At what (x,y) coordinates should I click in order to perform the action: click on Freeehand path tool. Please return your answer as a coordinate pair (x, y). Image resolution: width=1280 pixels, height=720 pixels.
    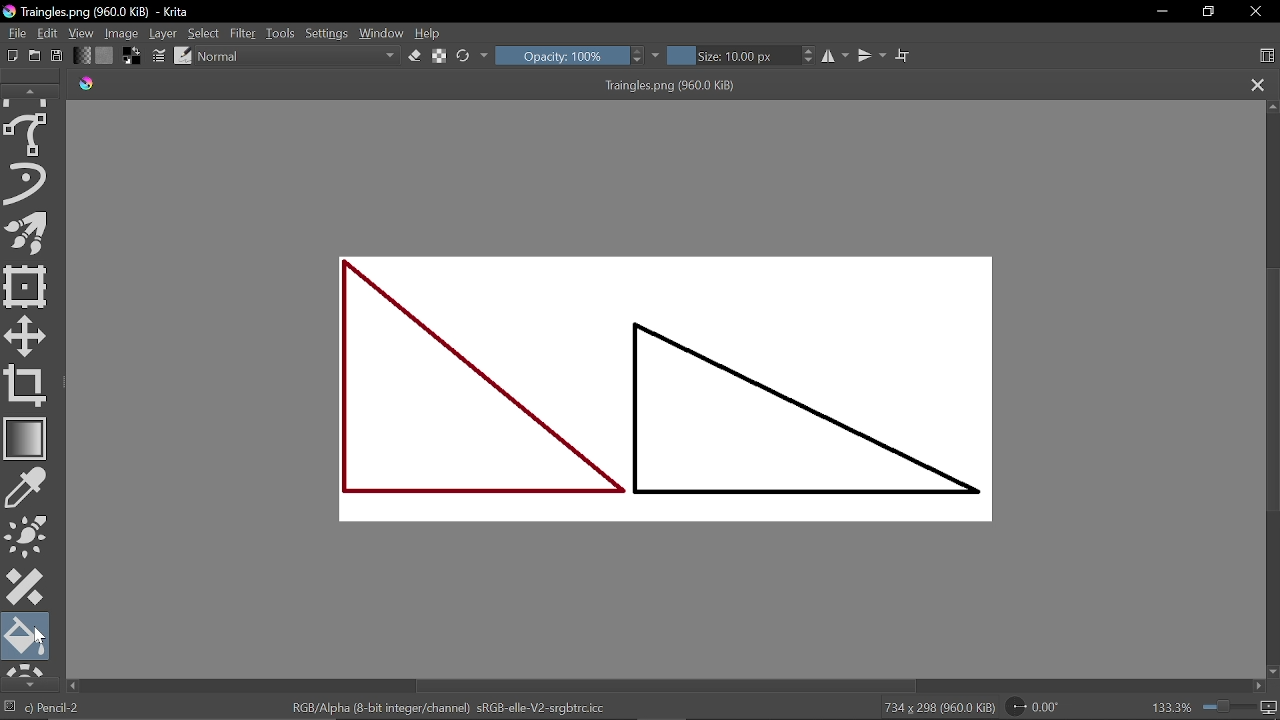
    Looking at the image, I should click on (29, 135).